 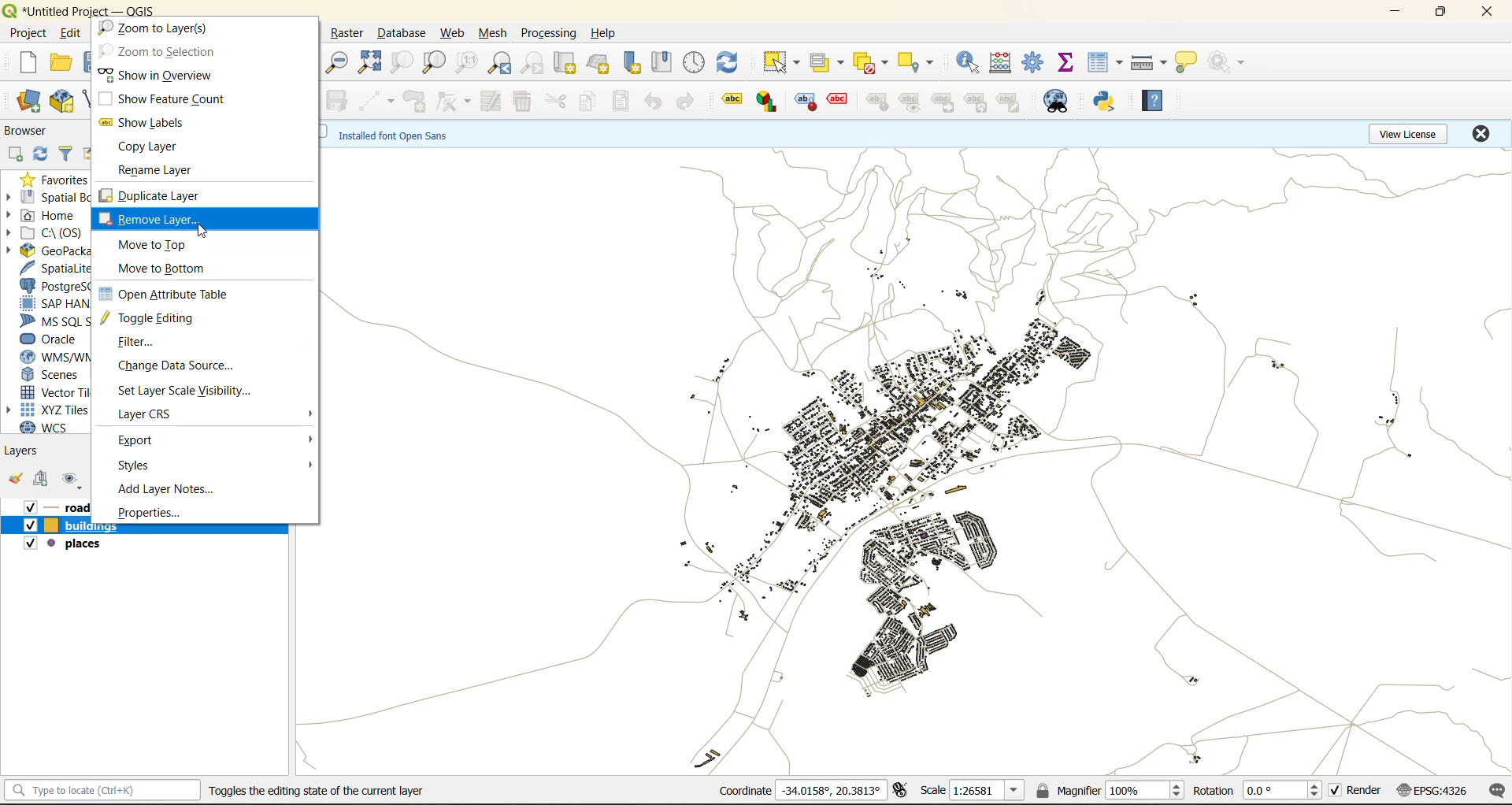 What do you see at coordinates (1229, 64) in the screenshot?
I see `no action` at bounding box center [1229, 64].